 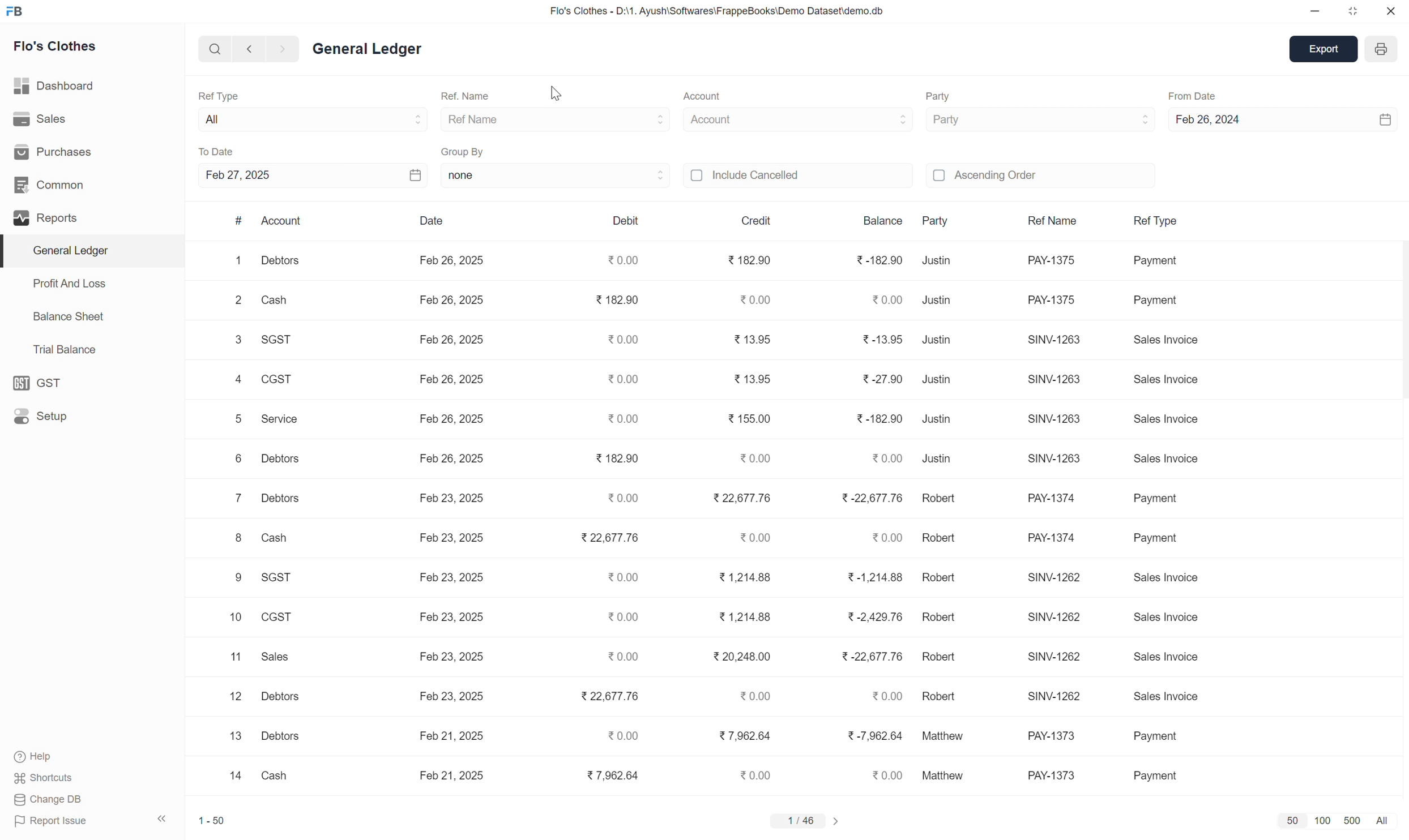 I want to click on SINV-1262, so click(x=1056, y=619).